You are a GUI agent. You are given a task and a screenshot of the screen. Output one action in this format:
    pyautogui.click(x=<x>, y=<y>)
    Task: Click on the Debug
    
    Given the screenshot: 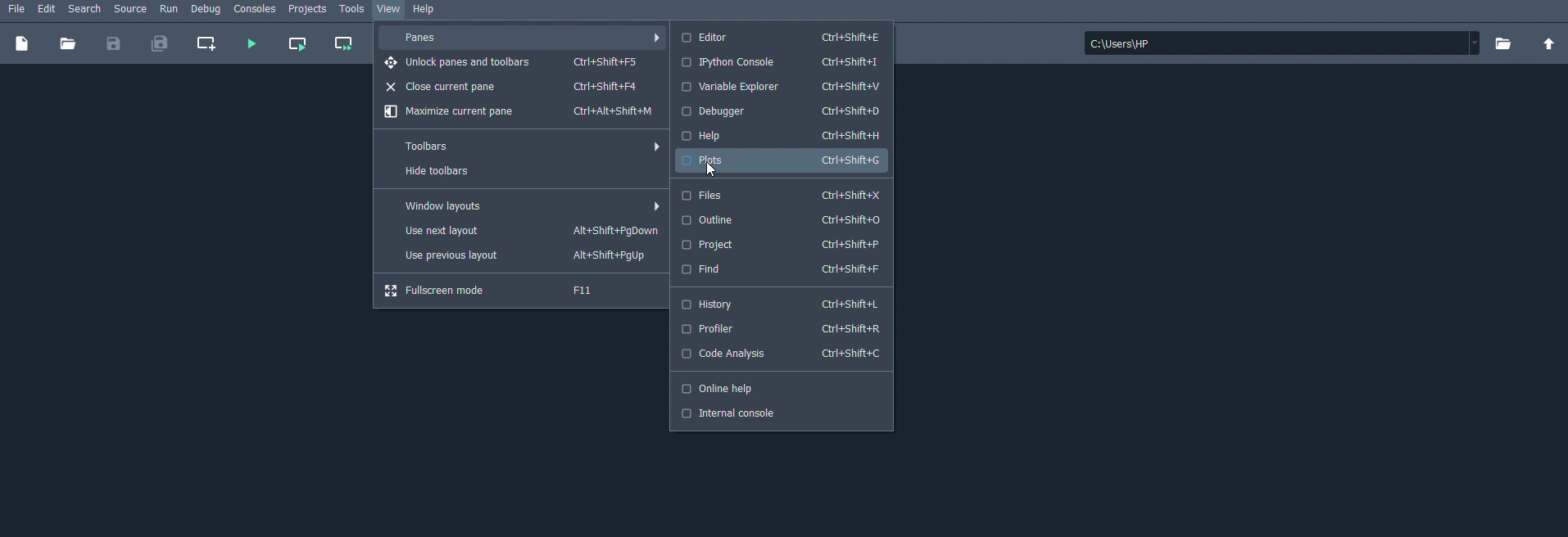 What is the action you would take?
    pyautogui.click(x=206, y=10)
    